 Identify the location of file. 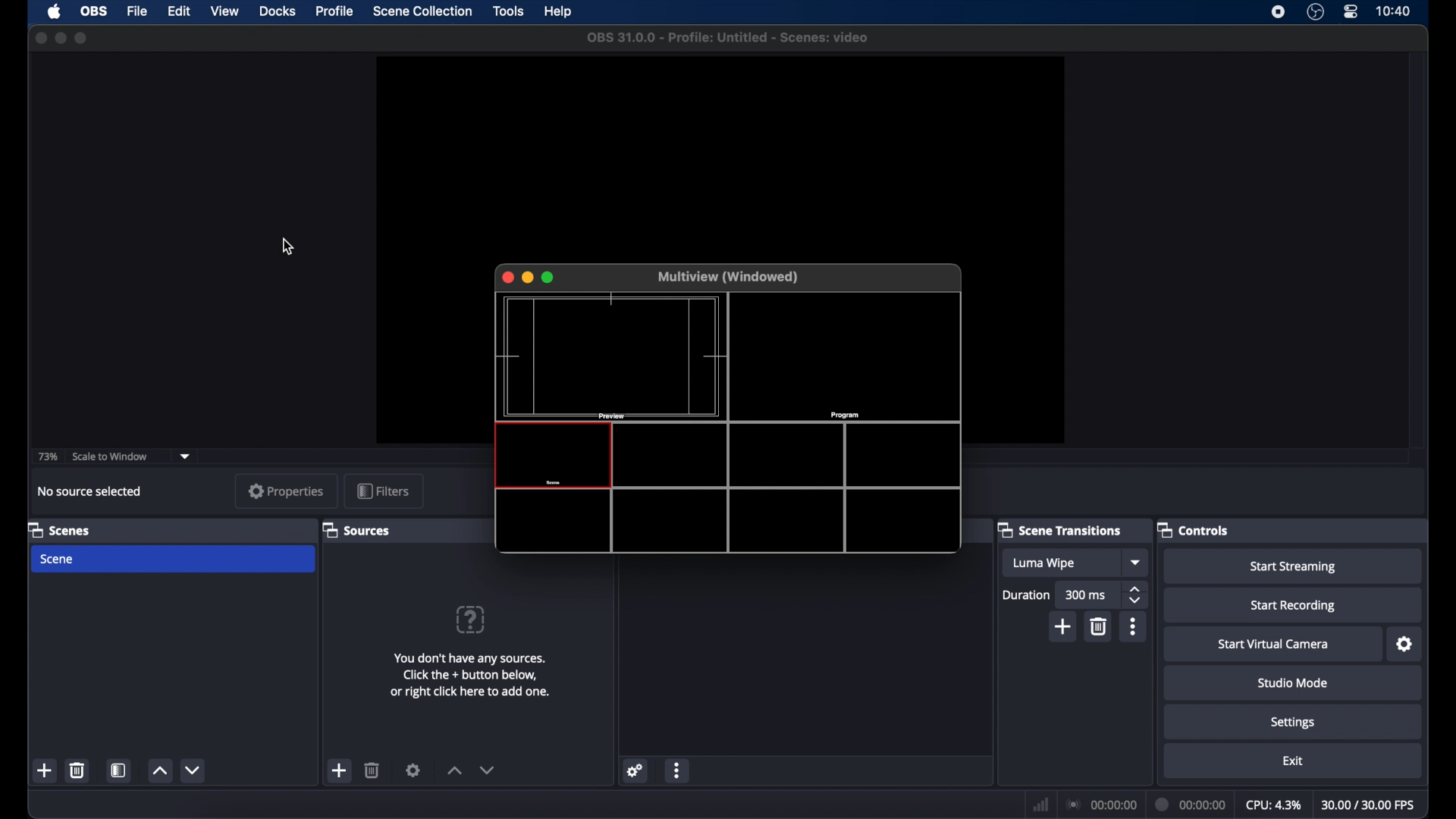
(136, 11).